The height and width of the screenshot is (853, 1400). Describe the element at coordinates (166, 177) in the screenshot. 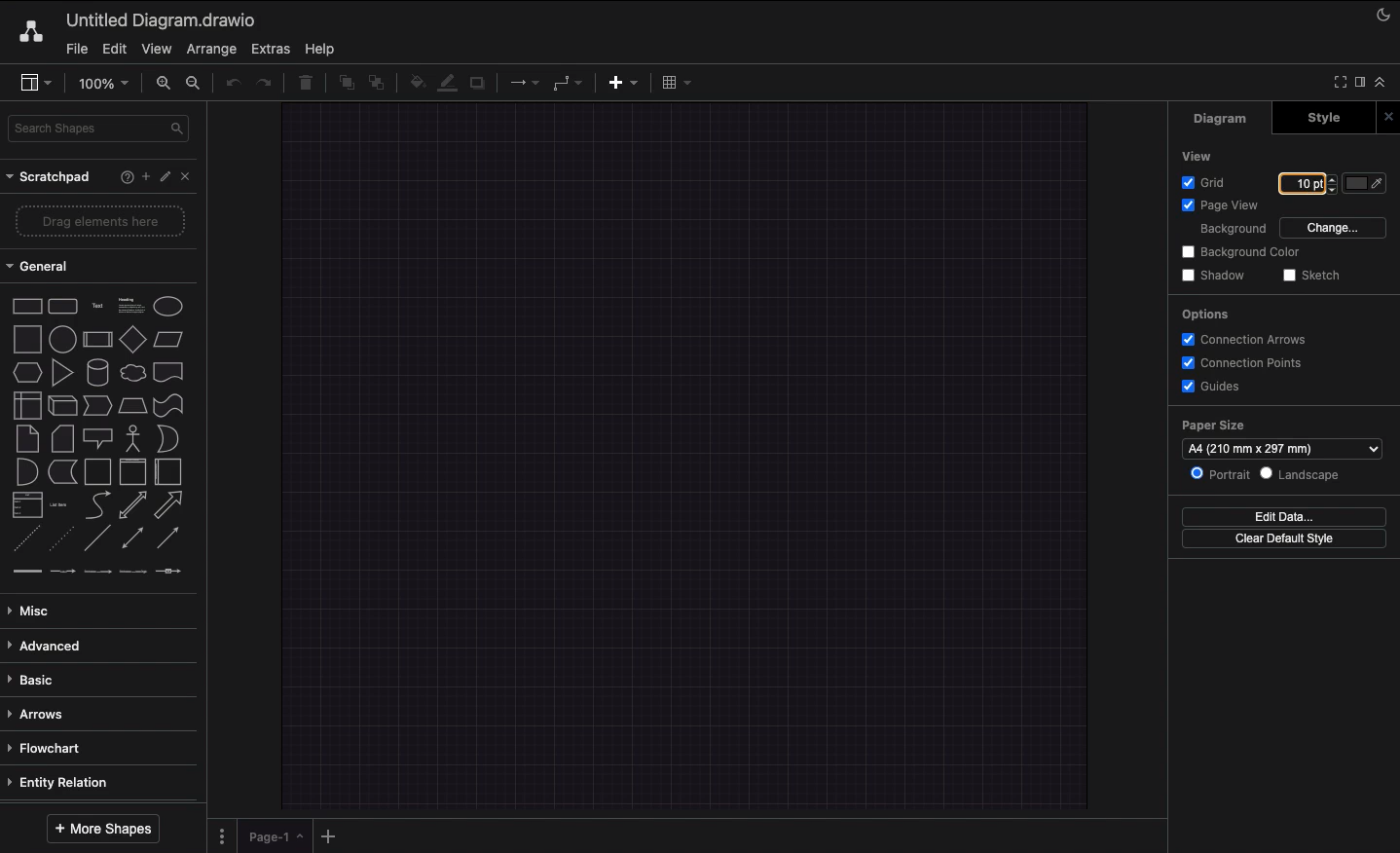

I see `Edit` at that location.